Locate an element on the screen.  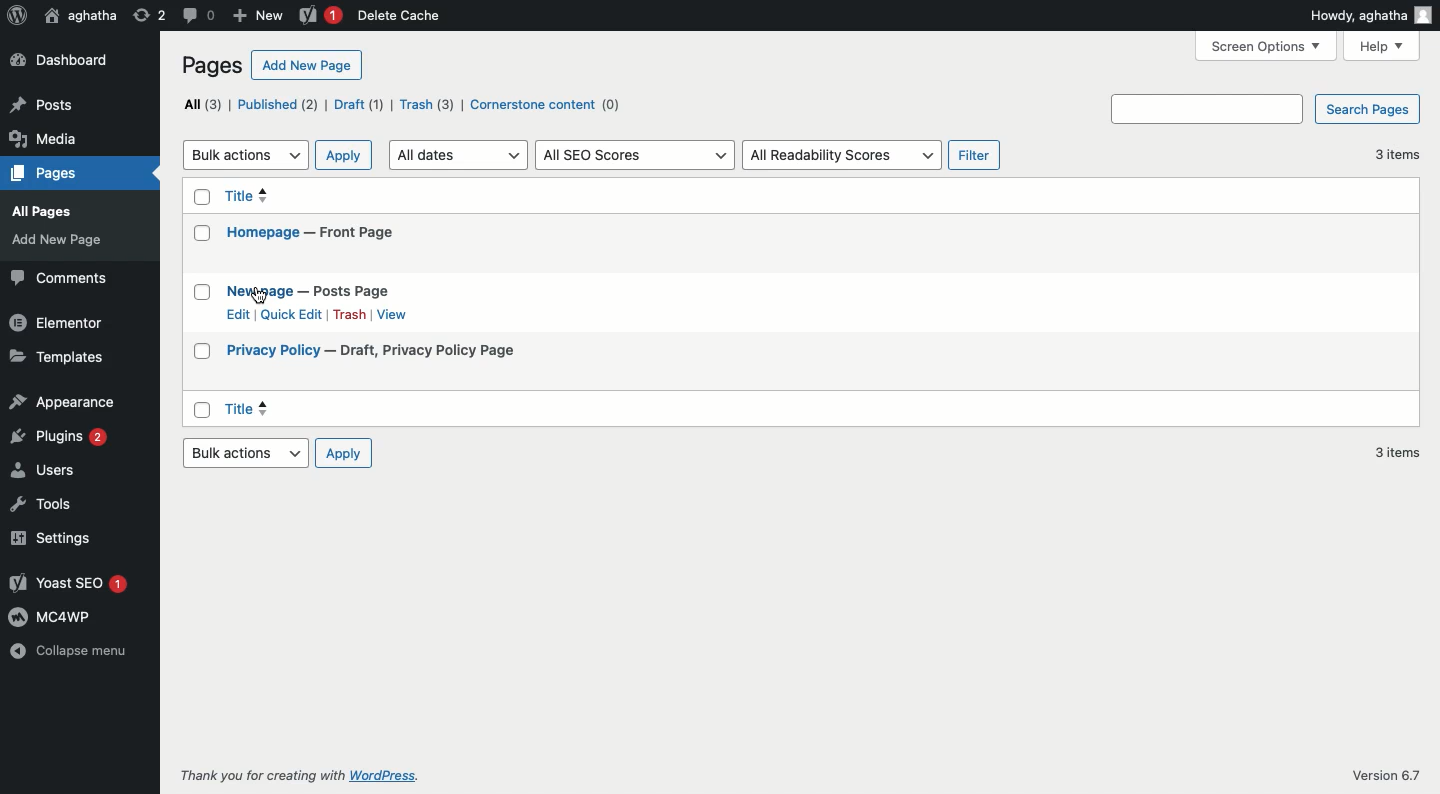
Comment is located at coordinates (199, 16).